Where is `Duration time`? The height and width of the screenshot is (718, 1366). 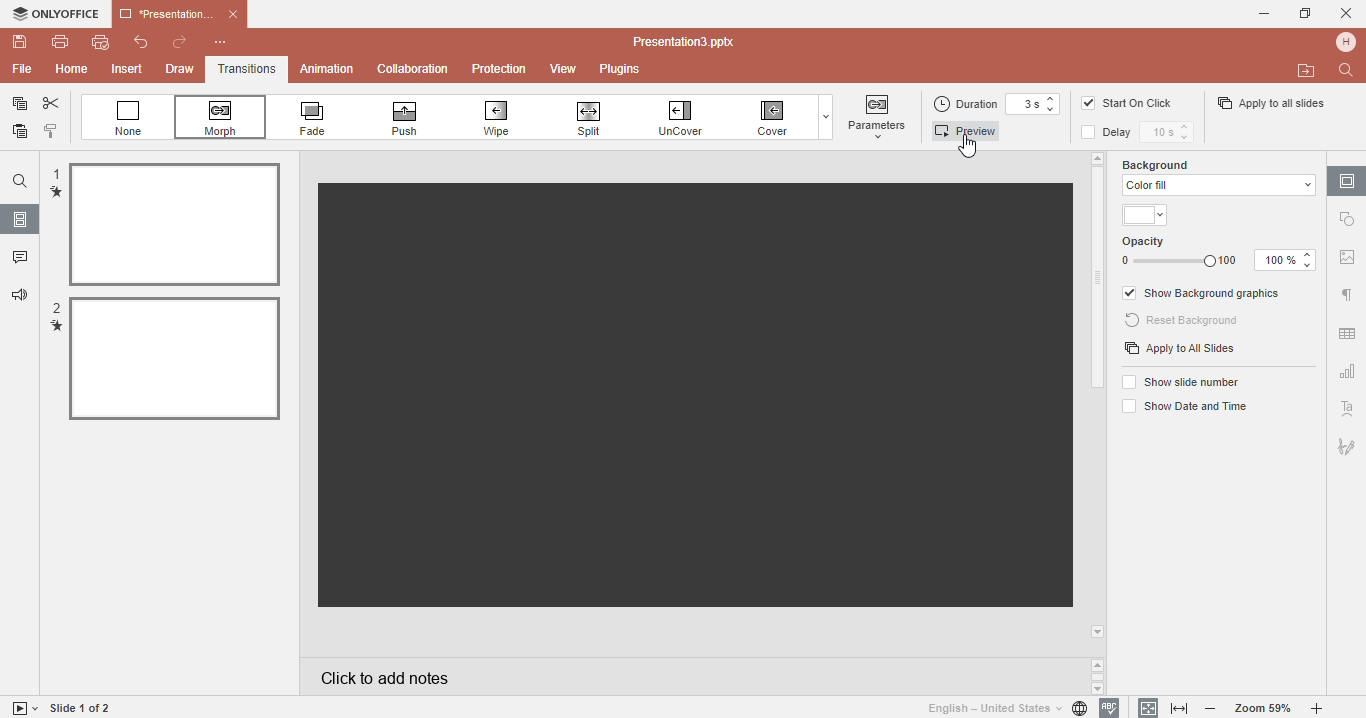
Duration time is located at coordinates (1039, 105).